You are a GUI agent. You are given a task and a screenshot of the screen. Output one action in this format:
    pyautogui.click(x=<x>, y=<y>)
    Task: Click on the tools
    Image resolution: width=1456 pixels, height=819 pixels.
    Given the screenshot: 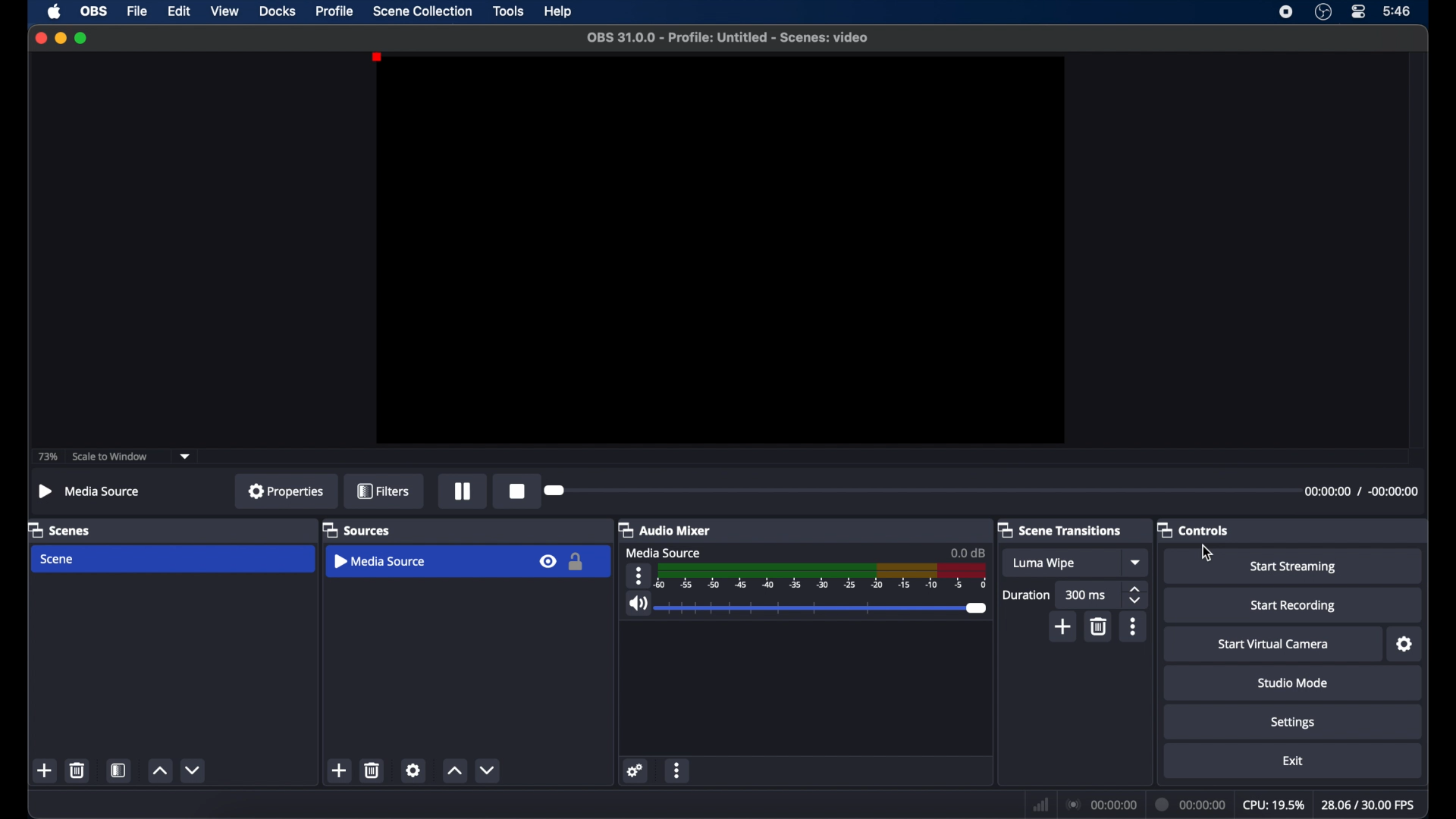 What is the action you would take?
    pyautogui.click(x=509, y=10)
    